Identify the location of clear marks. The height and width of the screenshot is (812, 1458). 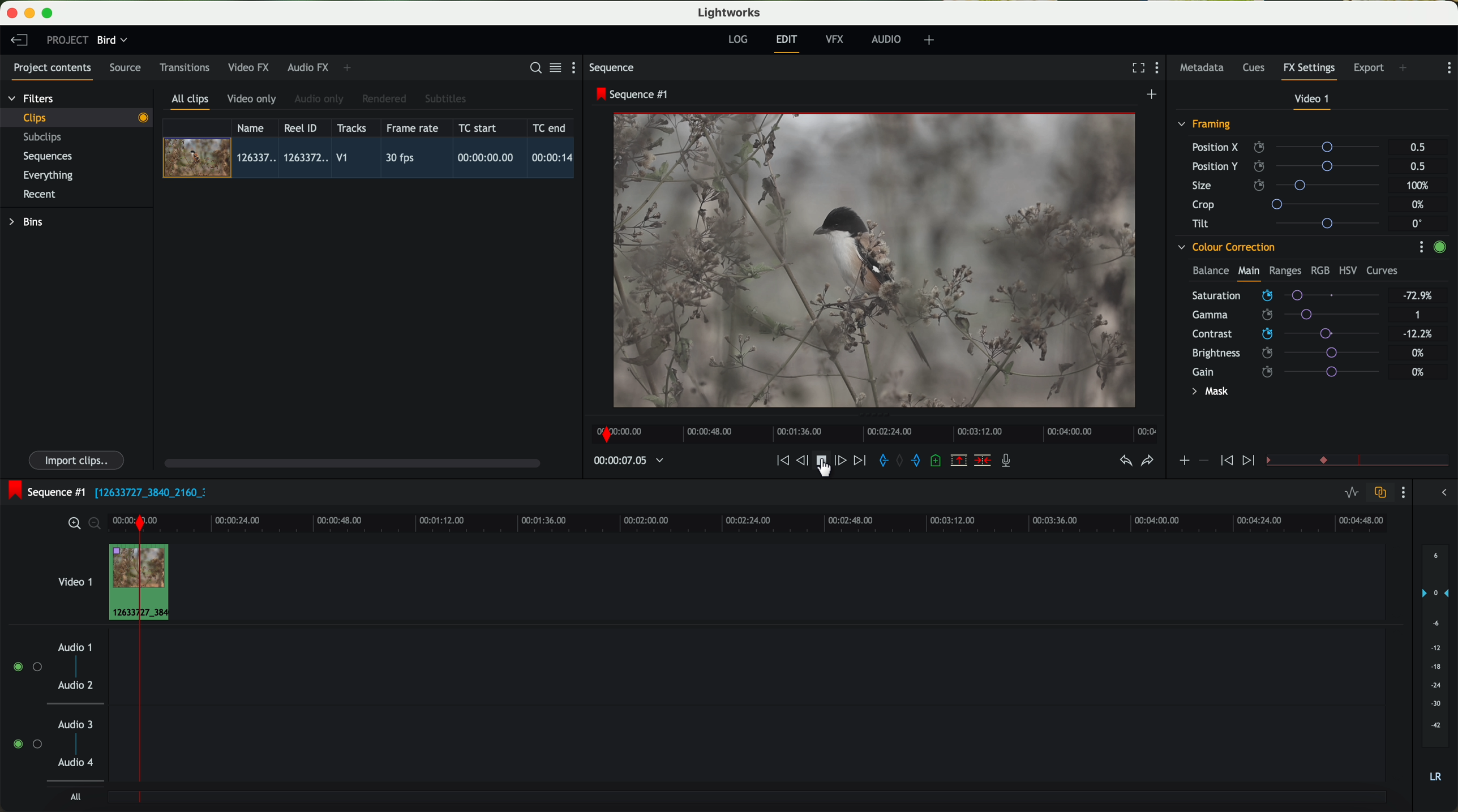
(900, 461).